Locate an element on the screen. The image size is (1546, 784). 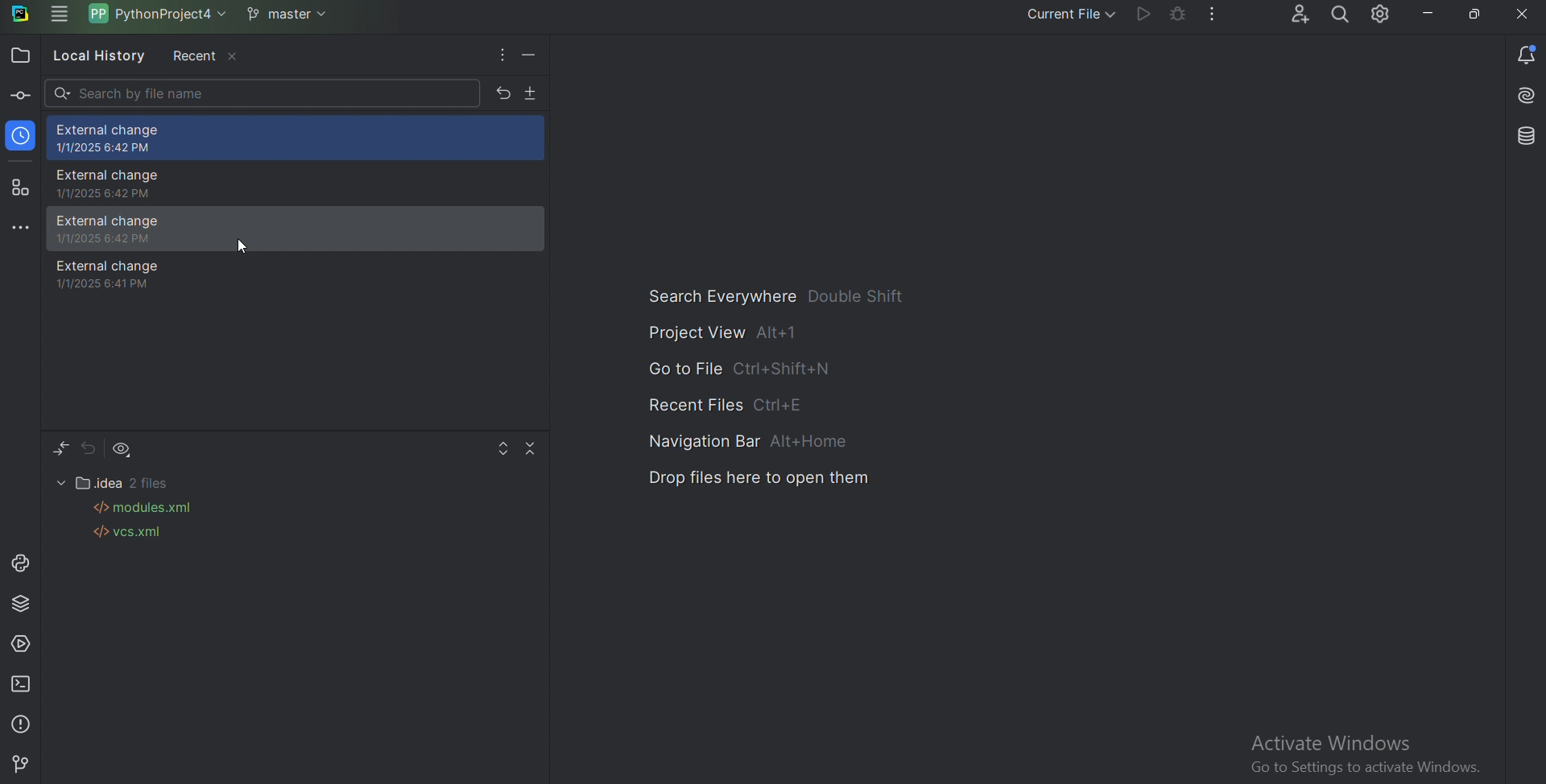
git branch master is located at coordinates (292, 15).